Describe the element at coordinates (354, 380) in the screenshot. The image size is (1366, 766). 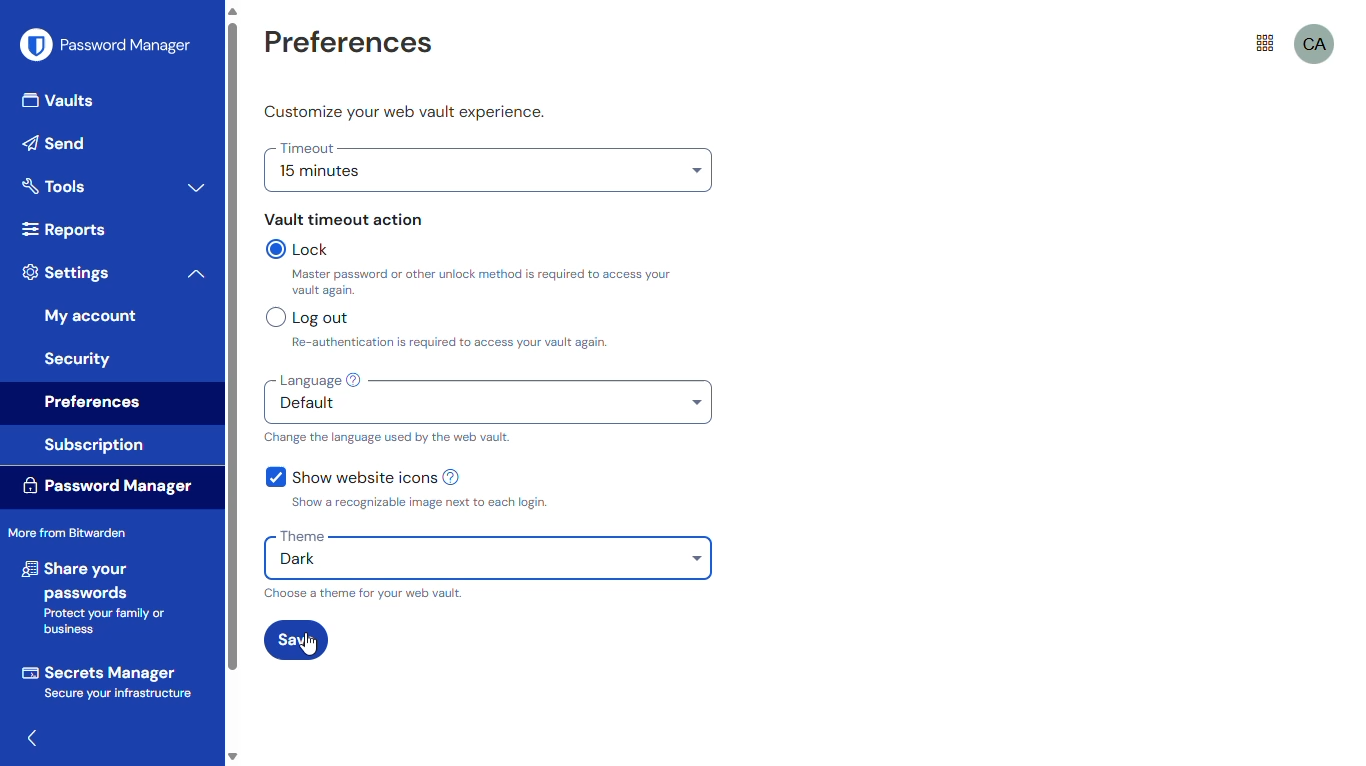
I see `learn more about localization` at that location.